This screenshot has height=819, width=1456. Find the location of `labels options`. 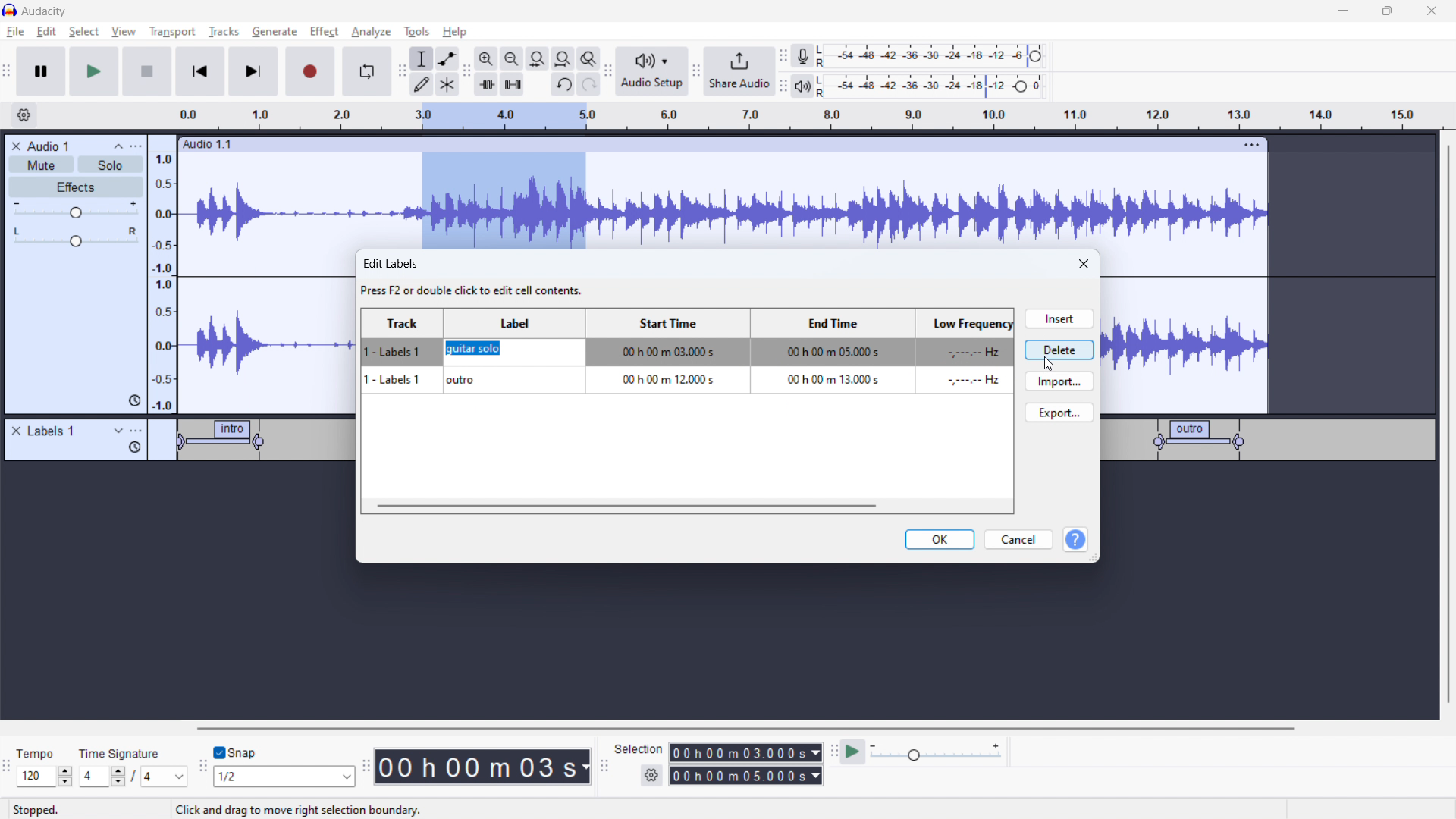

labels options is located at coordinates (136, 432).